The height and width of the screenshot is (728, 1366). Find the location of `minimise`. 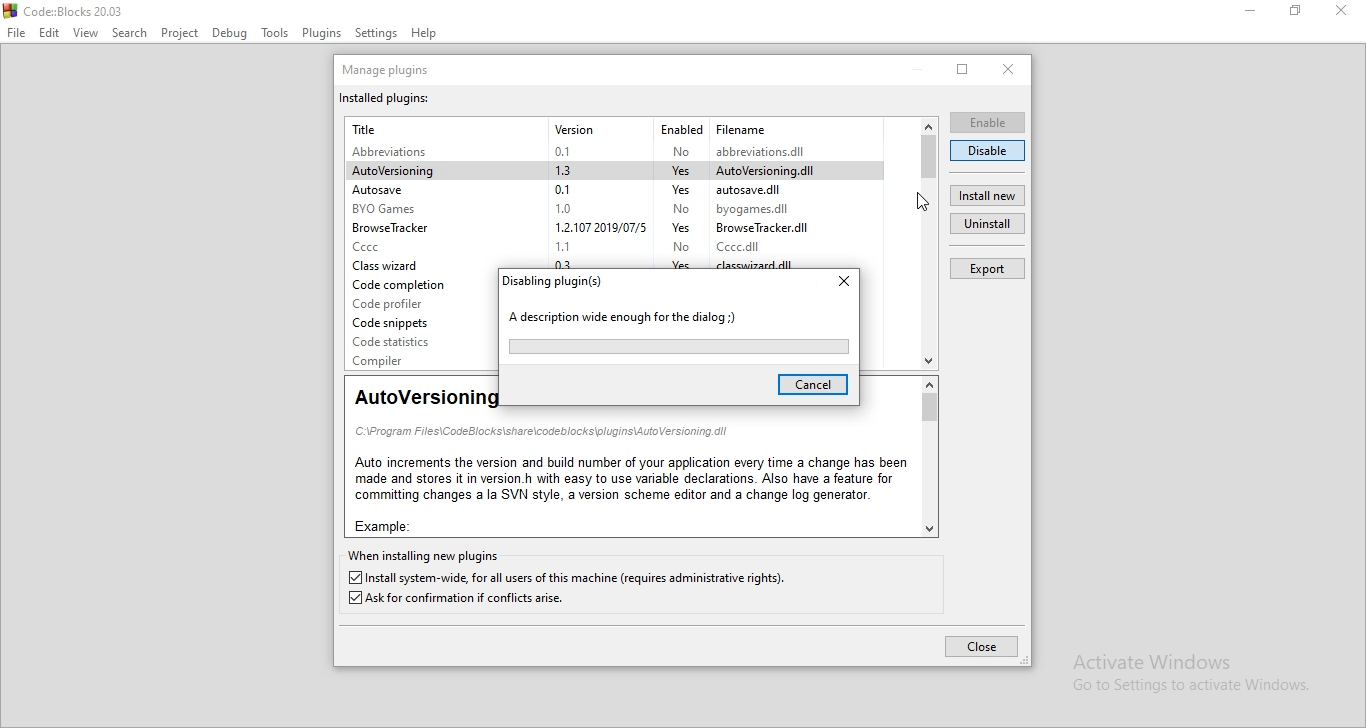

minimise is located at coordinates (1251, 11).